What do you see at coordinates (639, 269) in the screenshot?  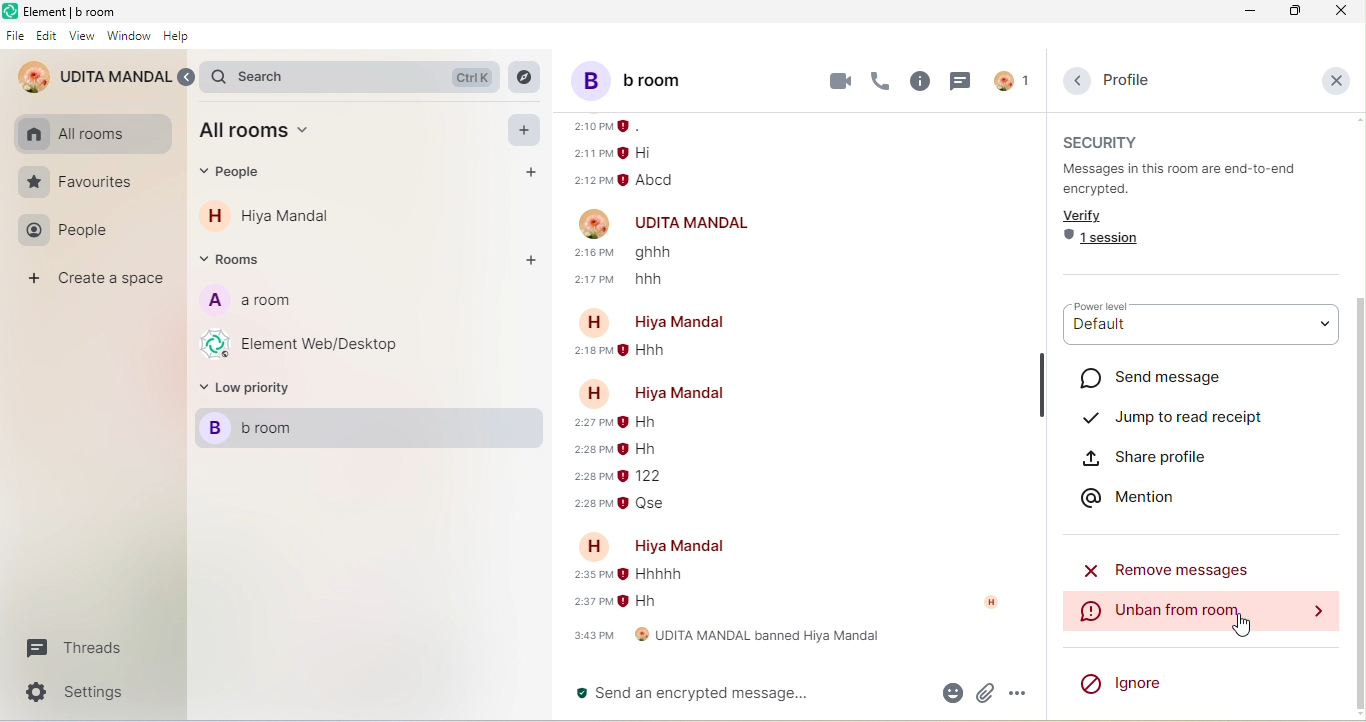 I see `older message from udita mandal` at bounding box center [639, 269].